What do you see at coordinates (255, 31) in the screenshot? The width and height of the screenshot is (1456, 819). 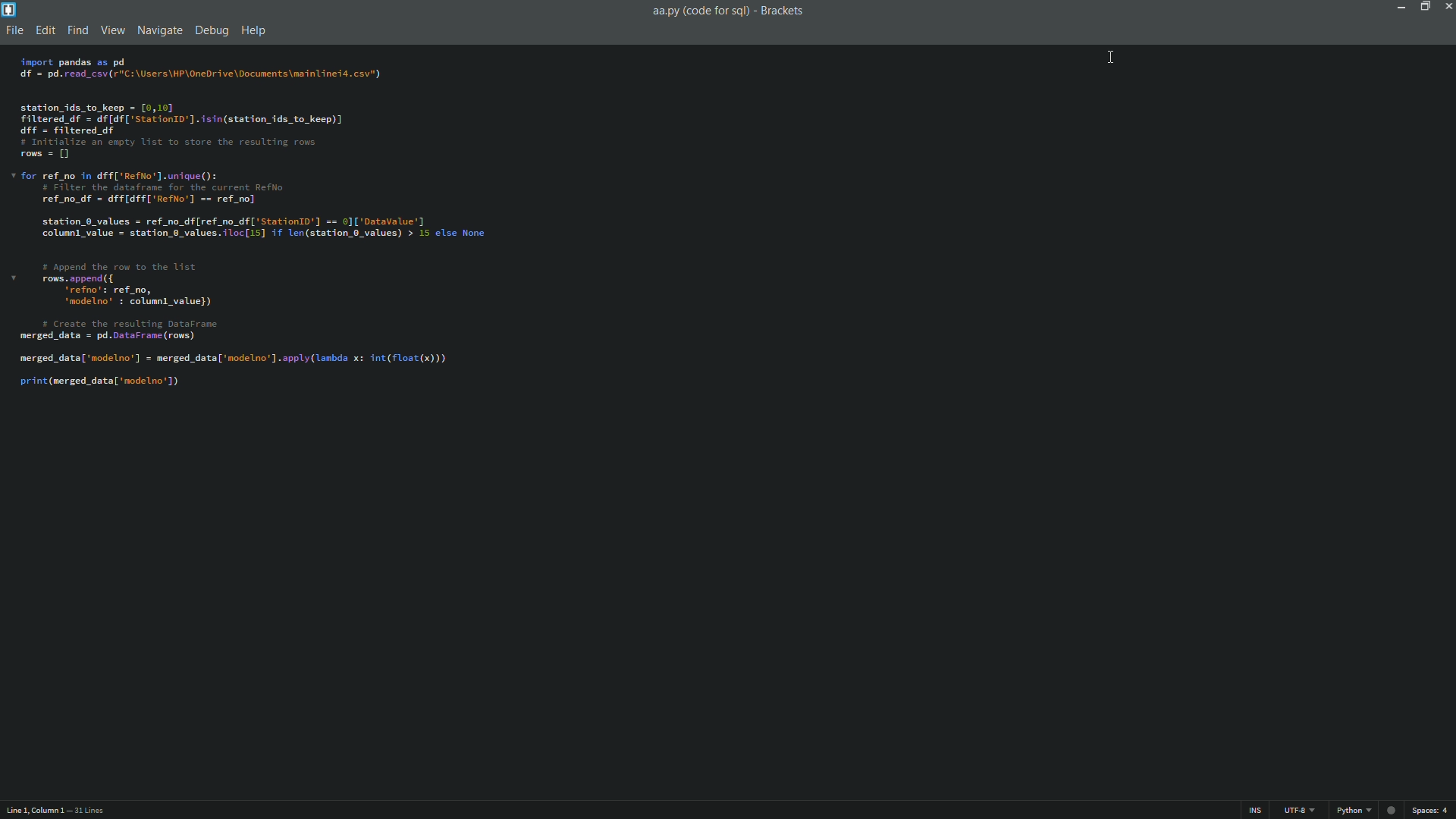 I see `Help` at bounding box center [255, 31].